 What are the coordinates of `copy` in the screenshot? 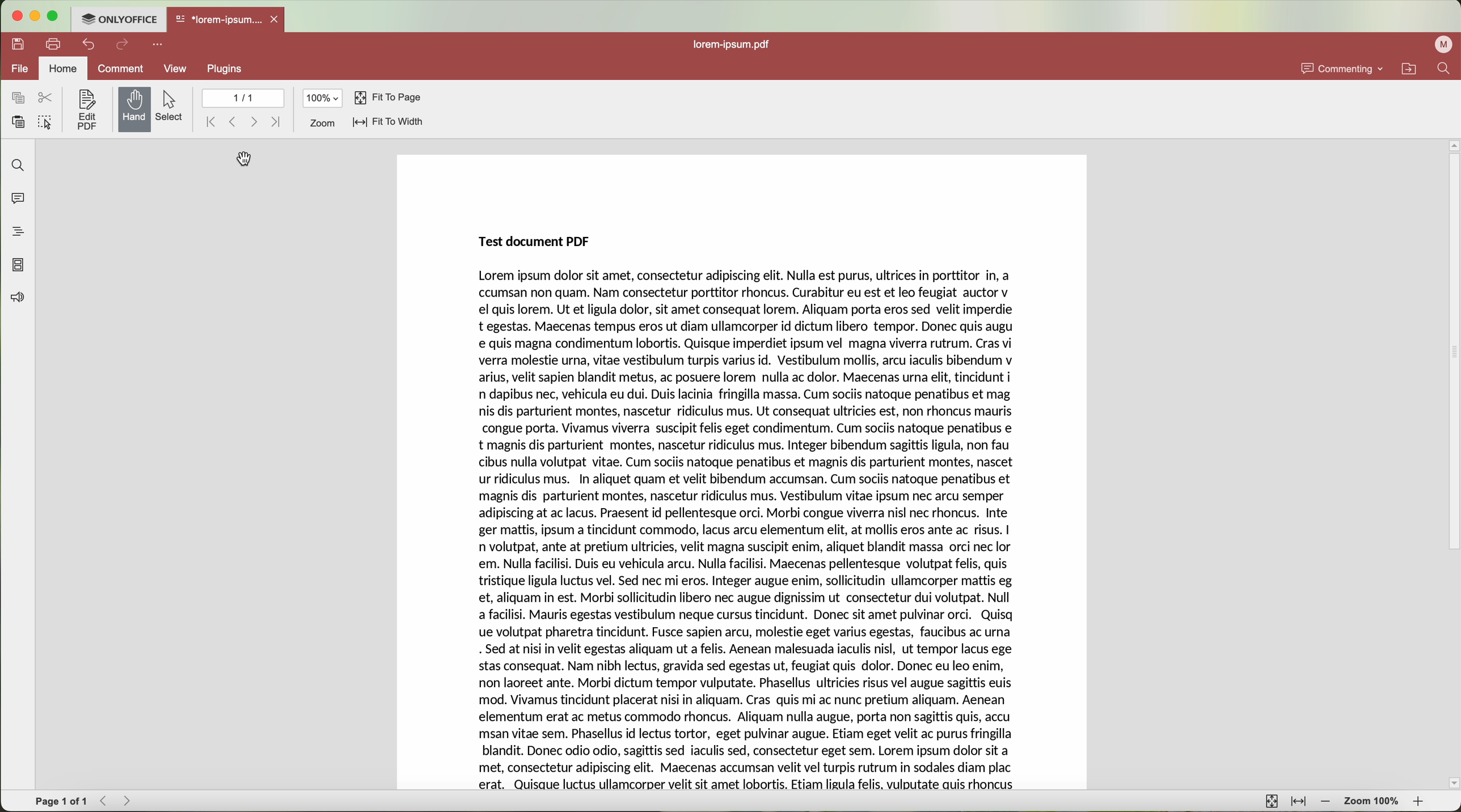 It's located at (15, 98).